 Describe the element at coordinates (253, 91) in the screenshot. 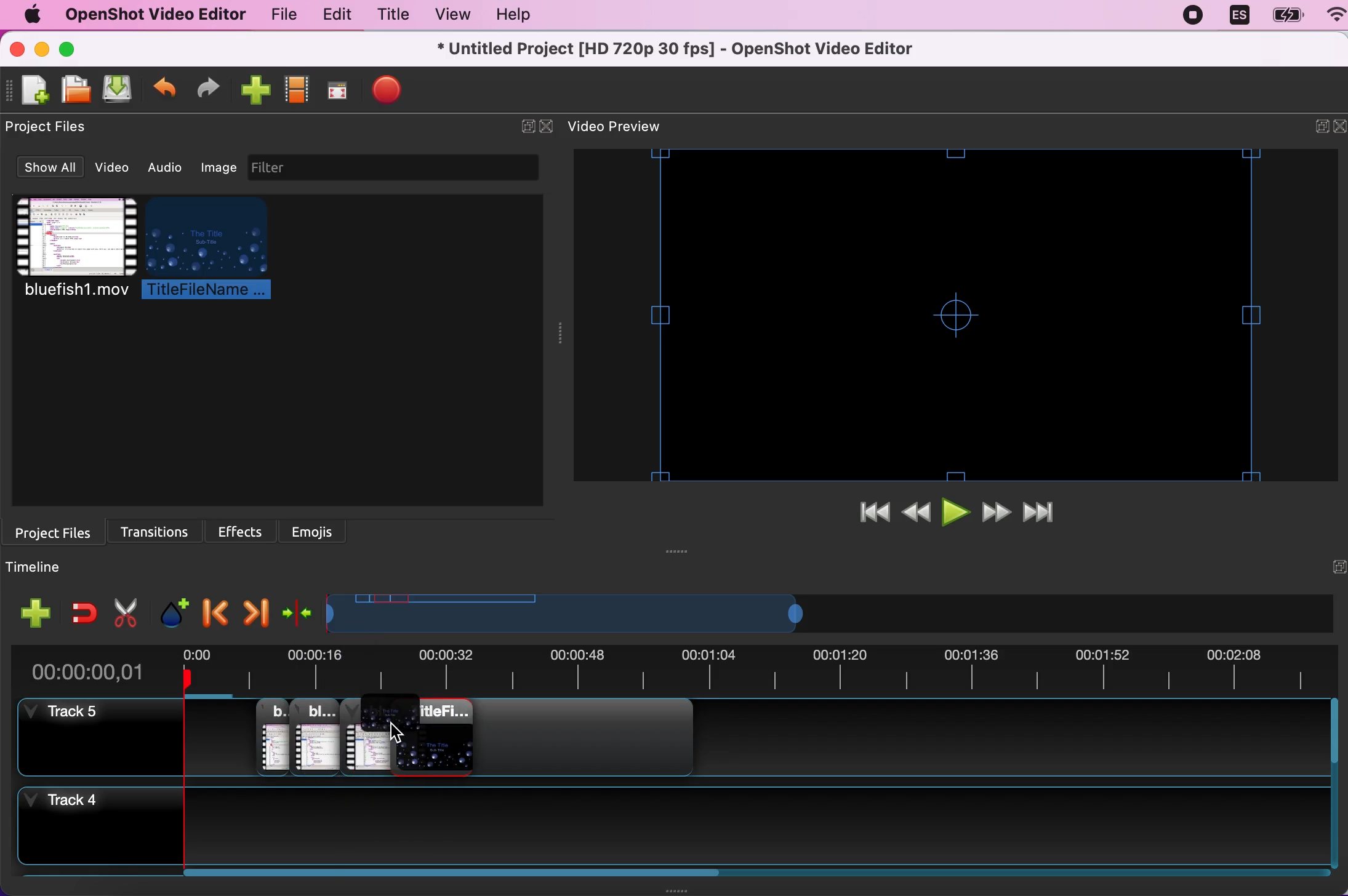

I see `import file` at that location.